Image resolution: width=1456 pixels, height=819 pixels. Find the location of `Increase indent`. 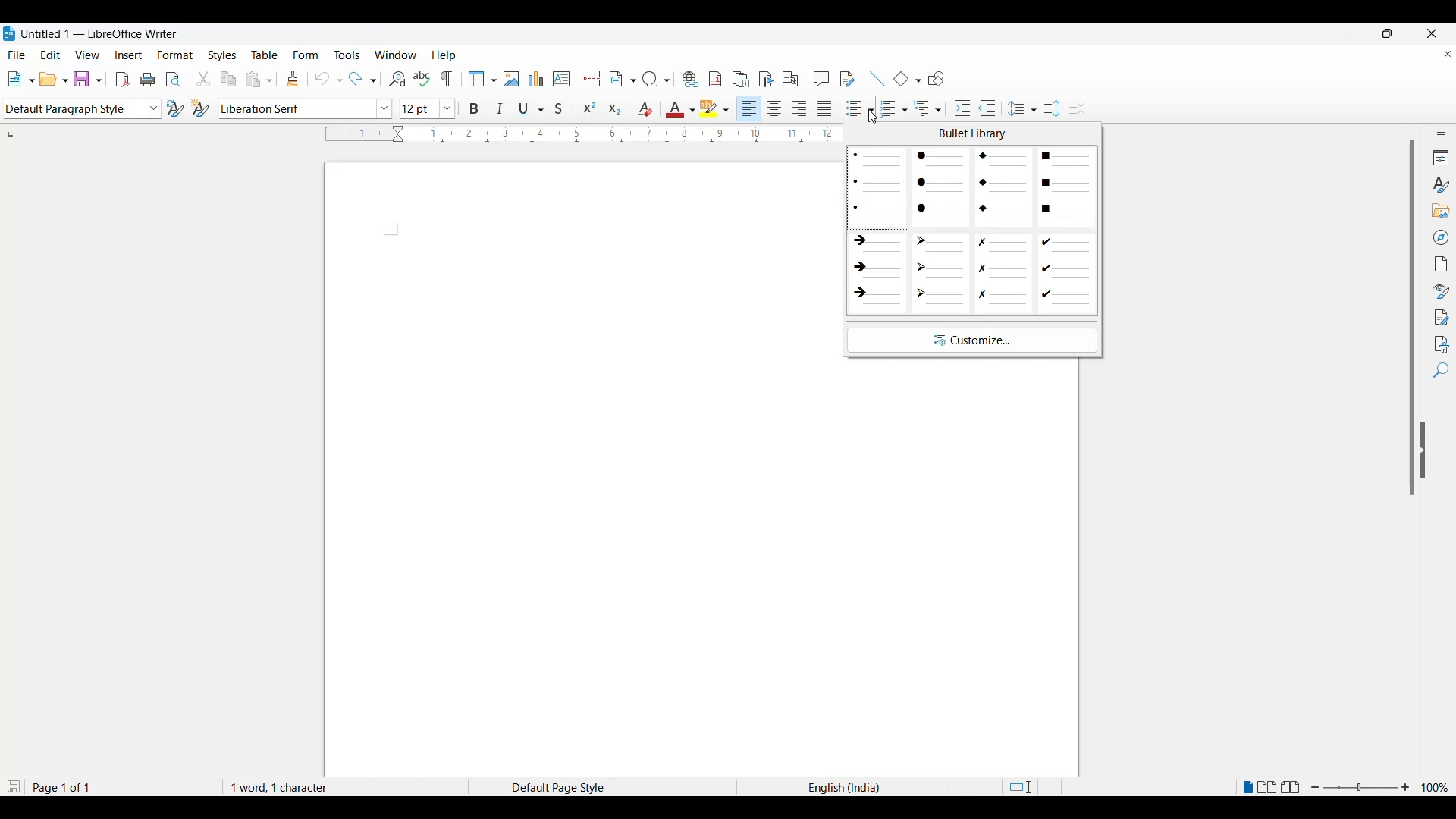

Increase indent is located at coordinates (960, 106).